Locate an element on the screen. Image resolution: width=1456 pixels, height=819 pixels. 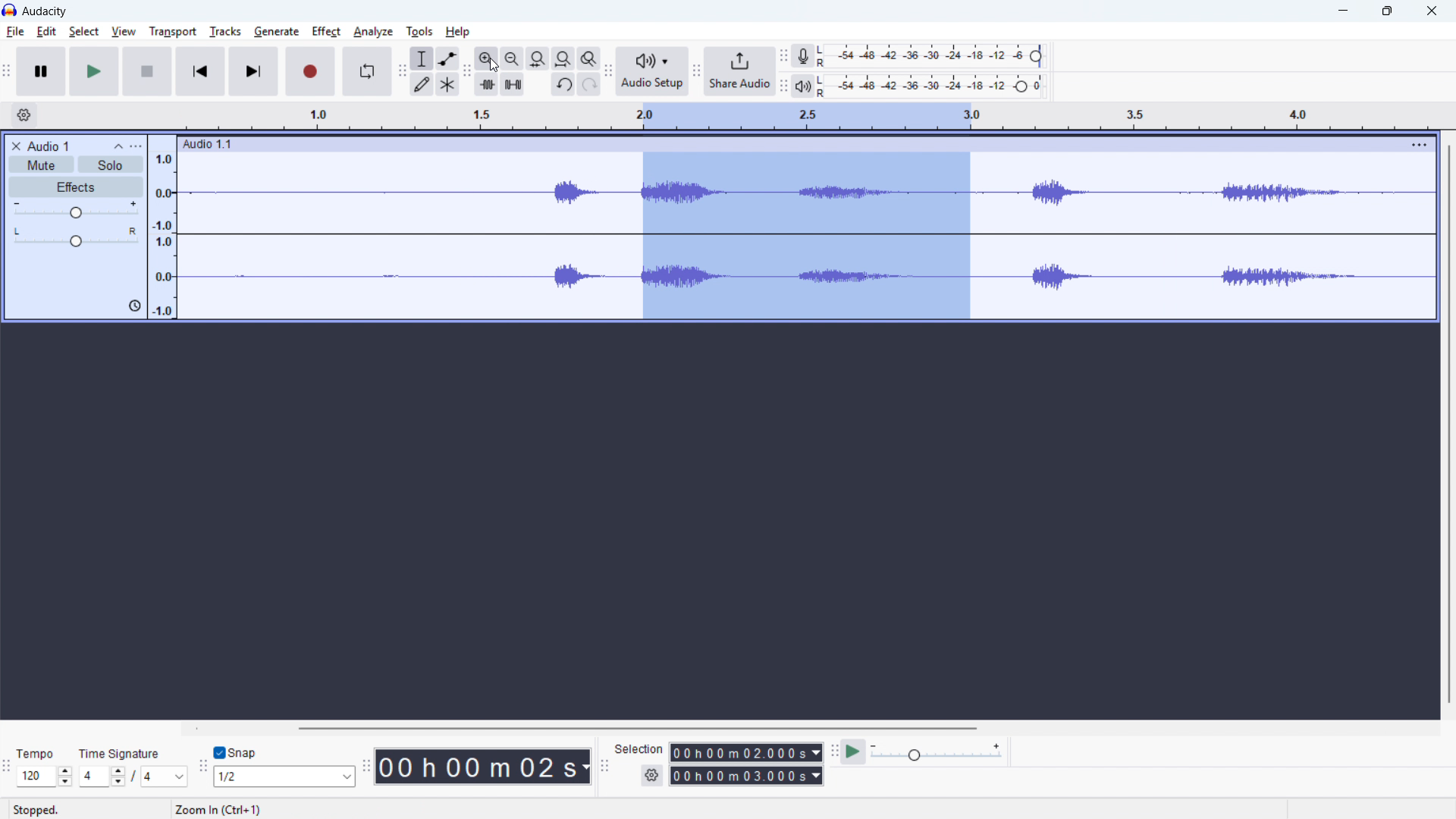
Effects is located at coordinates (76, 187).